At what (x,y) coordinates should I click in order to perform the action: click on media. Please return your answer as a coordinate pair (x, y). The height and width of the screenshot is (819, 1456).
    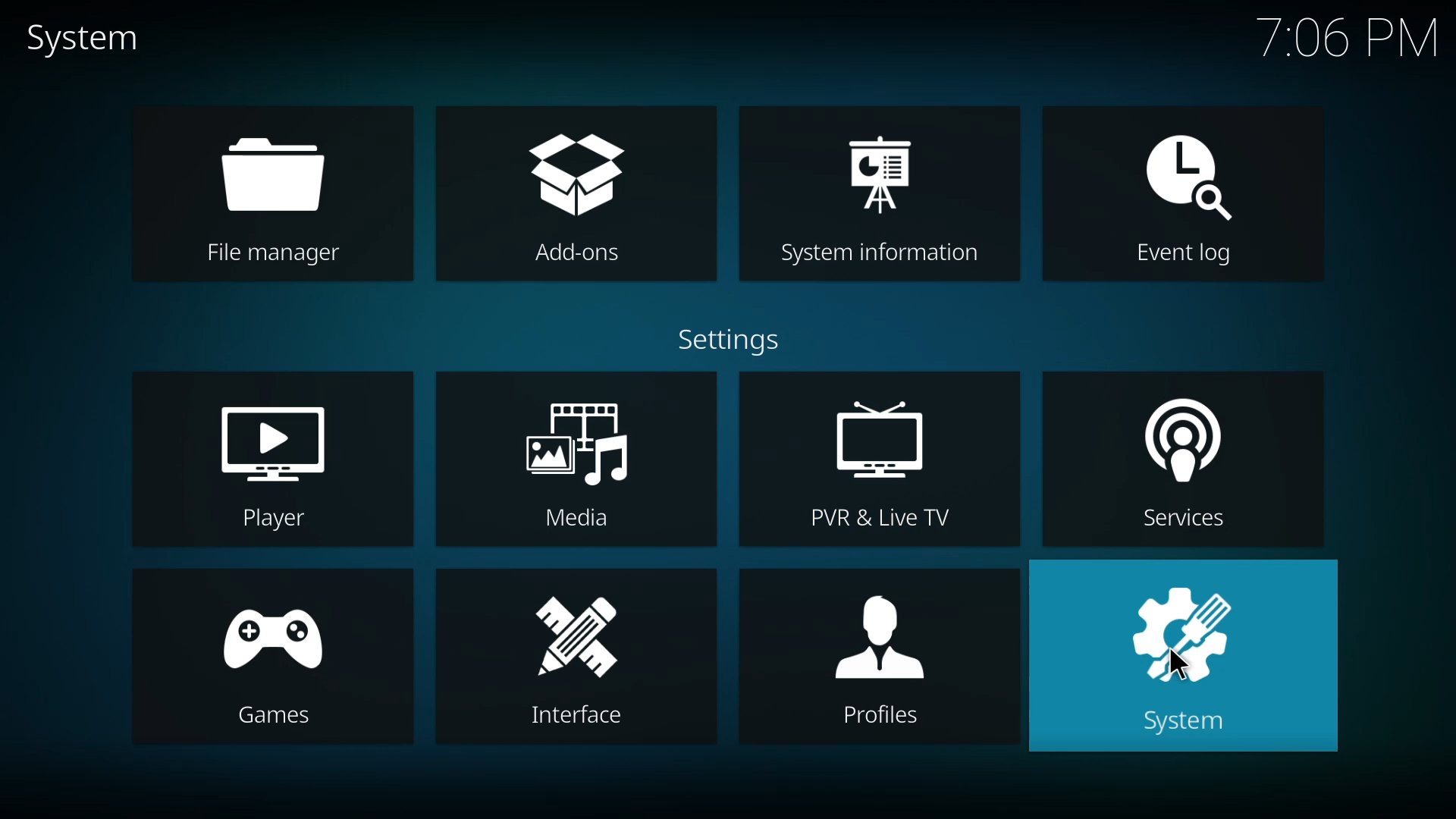
    Looking at the image, I should click on (580, 468).